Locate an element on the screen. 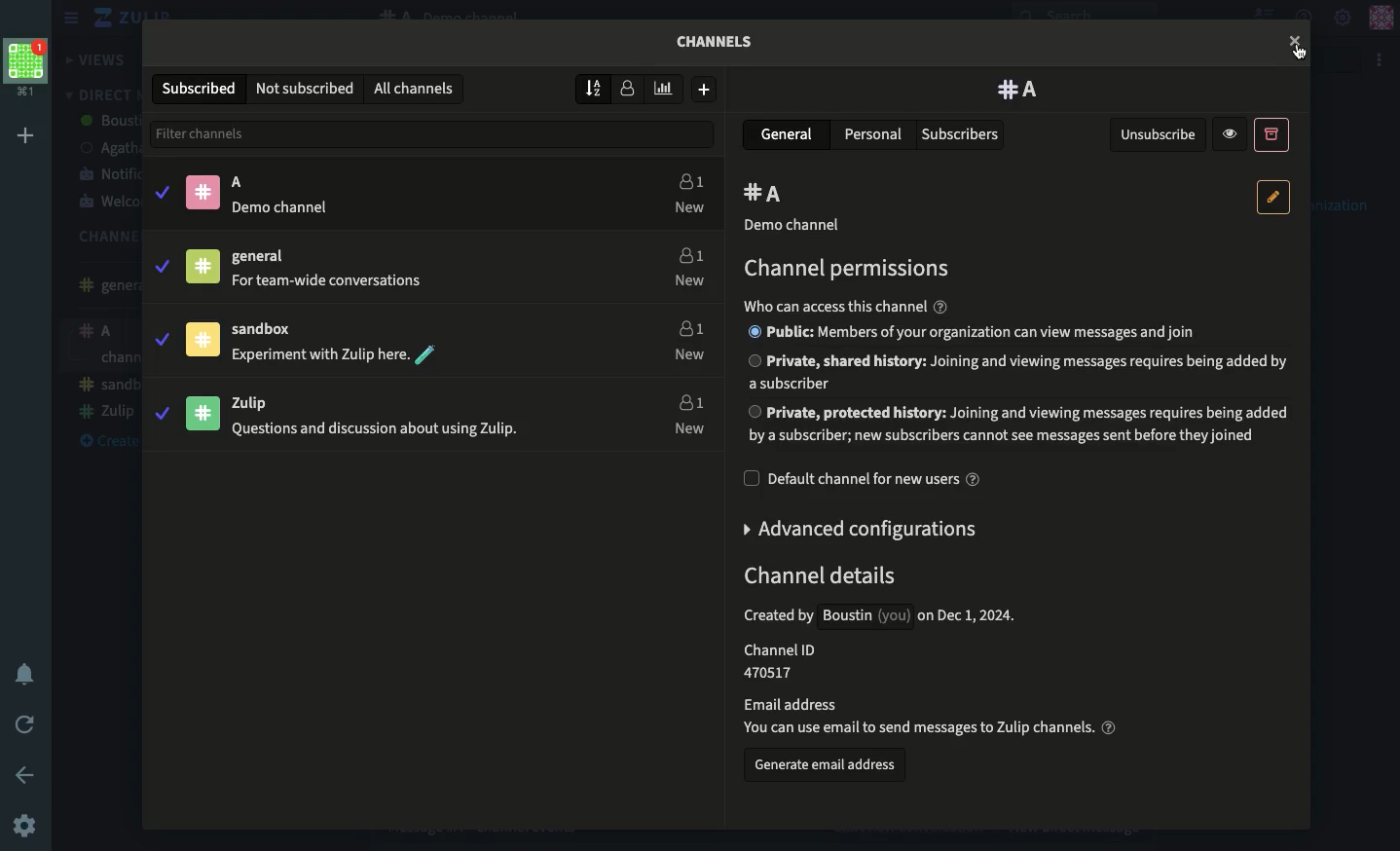 Image resolution: width=1400 pixels, height=851 pixels. A is located at coordinates (399, 194).